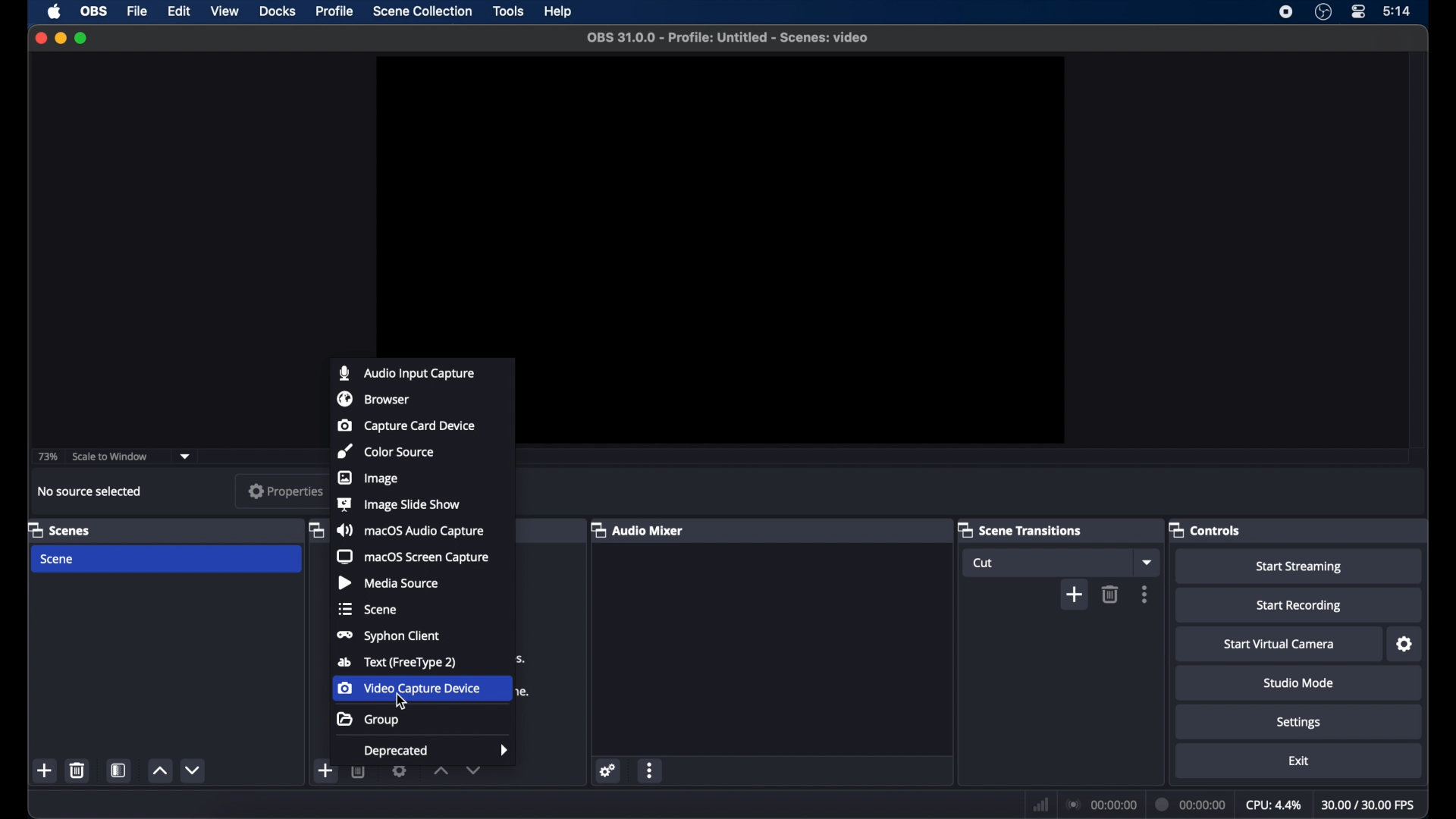 This screenshot has width=1456, height=819. What do you see at coordinates (90, 491) in the screenshot?
I see `no source selected` at bounding box center [90, 491].